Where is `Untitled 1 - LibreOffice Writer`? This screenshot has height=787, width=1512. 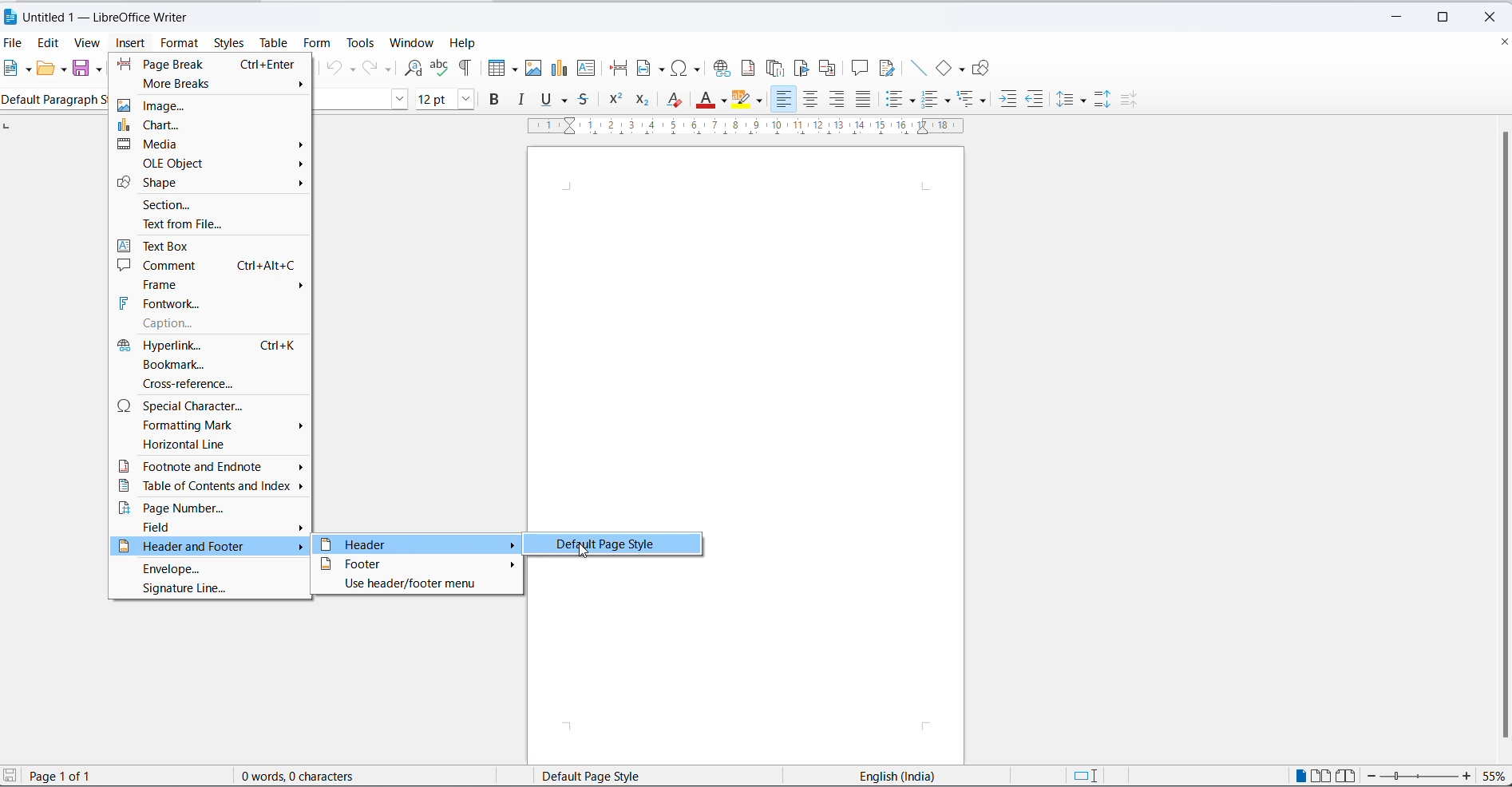
Untitled 1 - LibreOffice Writer is located at coordinates (122, 18).